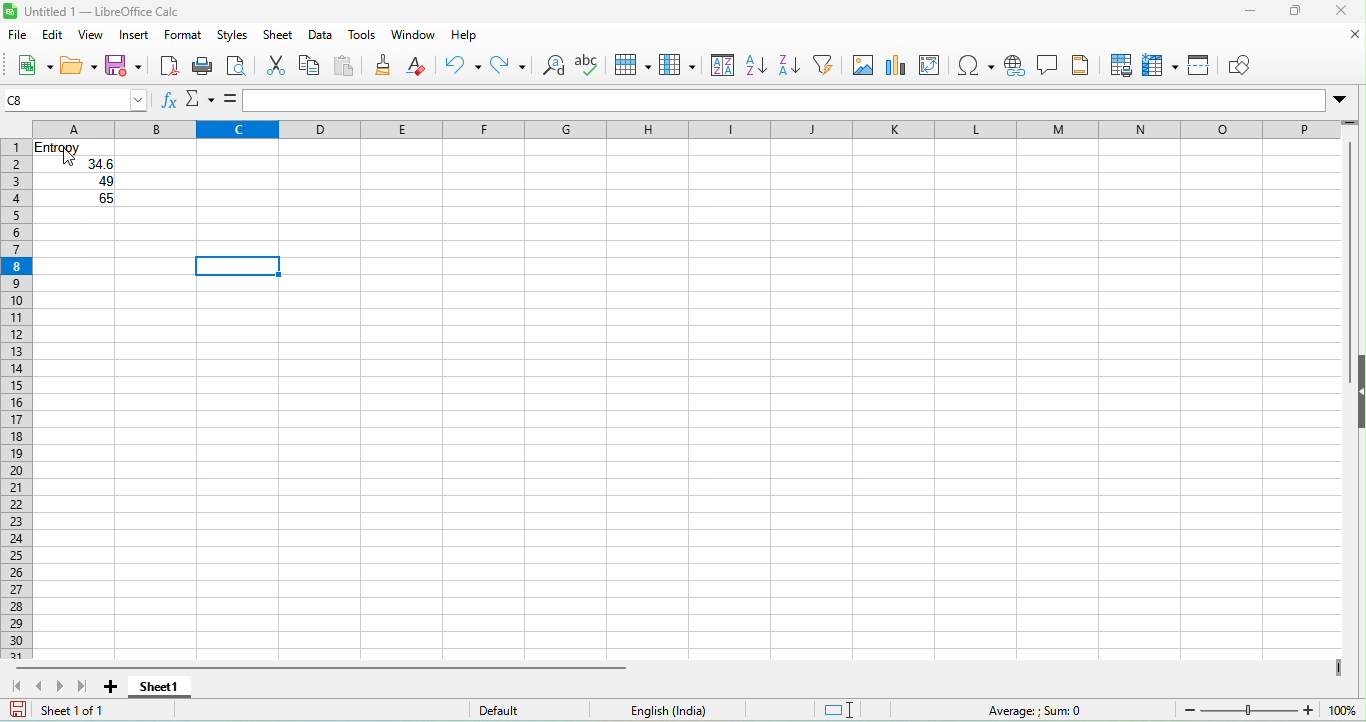 The height and width of the screenshot is (722, 1366). What do you see at coordinates (1251, 709) in the screenshot?
I see `zoom slider` at bounding box center [1251, 709].